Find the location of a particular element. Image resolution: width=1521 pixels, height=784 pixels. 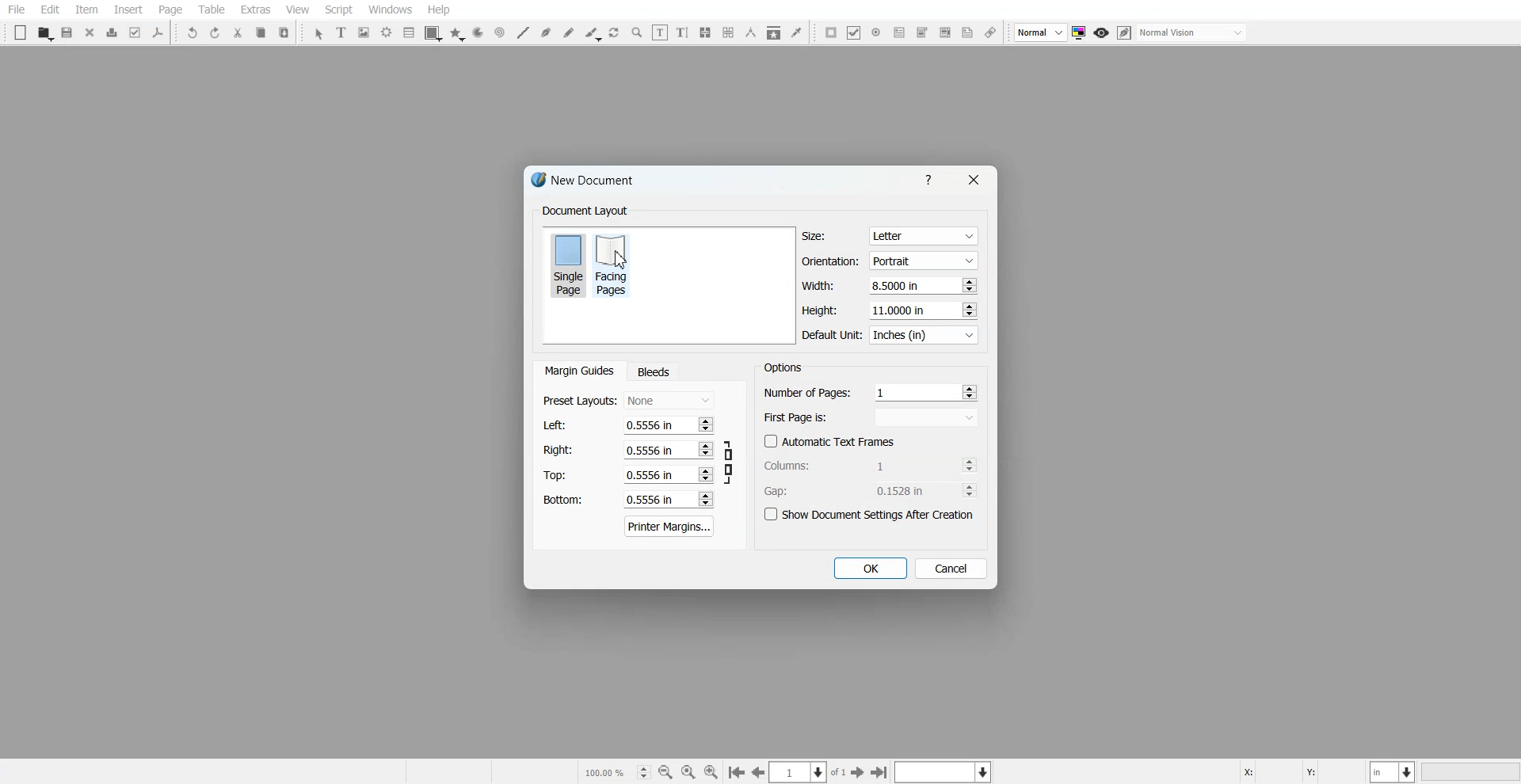

Text Annotation is located at coordinates (967, 33).